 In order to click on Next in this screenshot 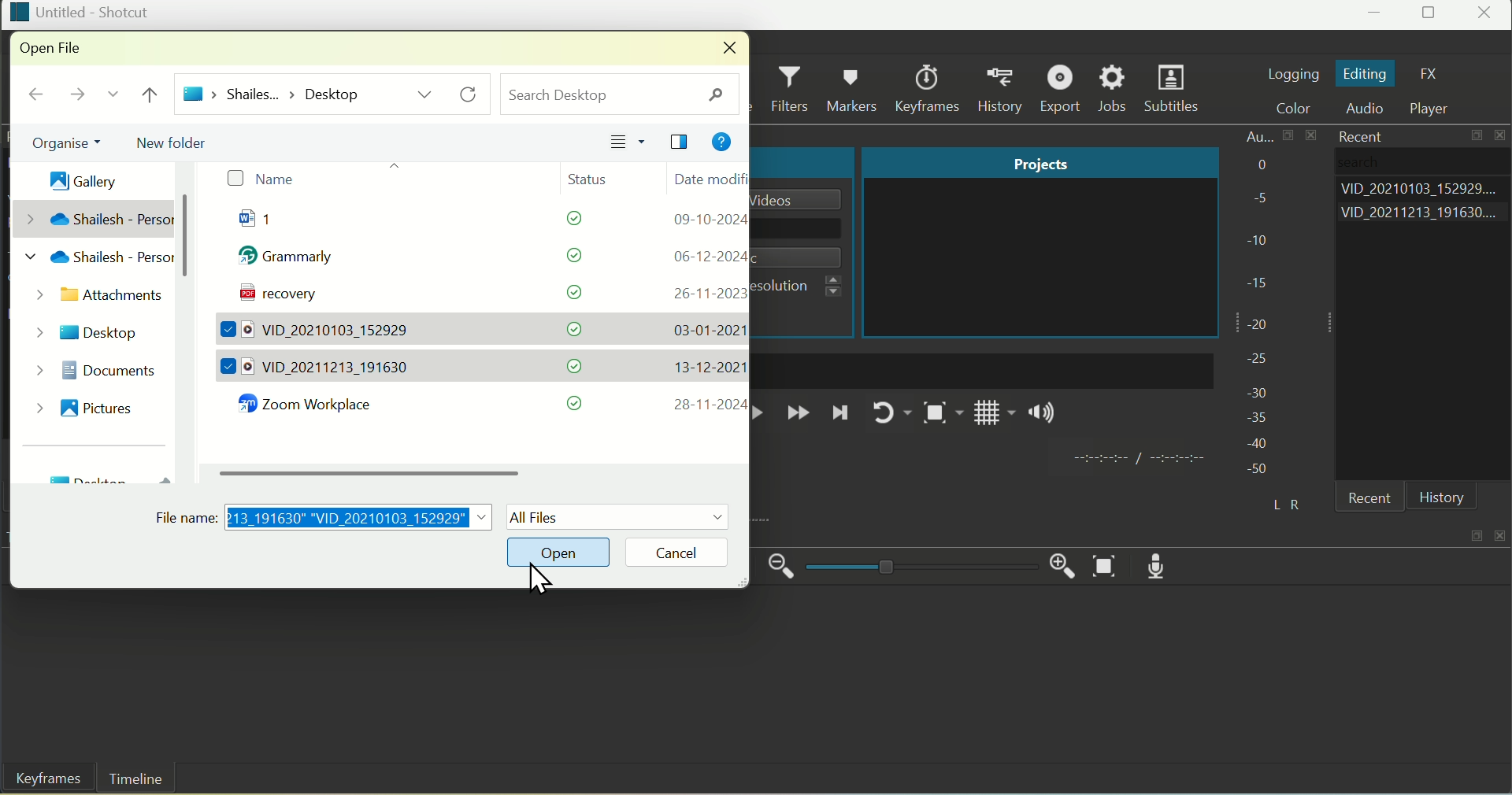, I will do `click(840, 417)`.